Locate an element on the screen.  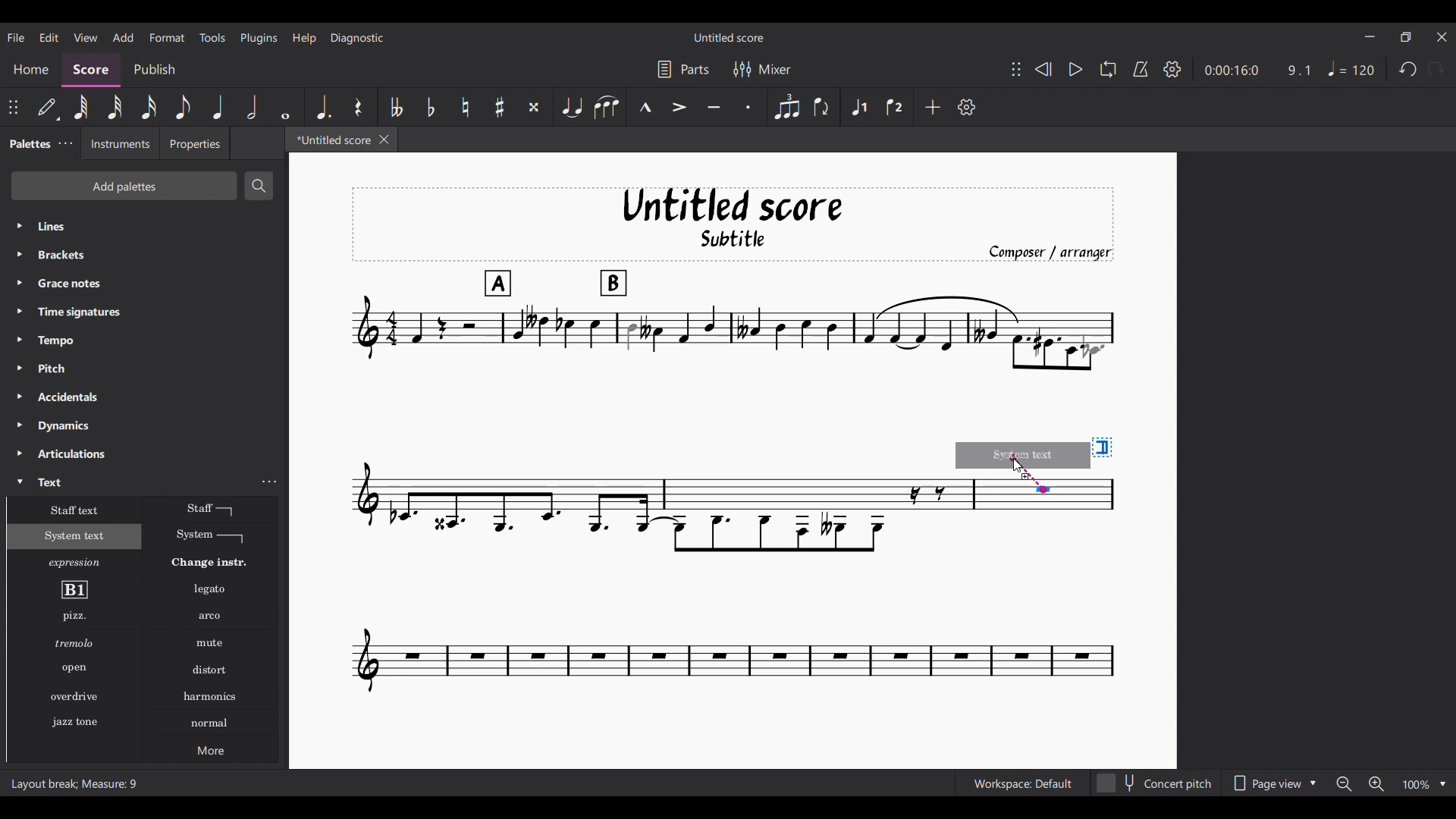
Rewind is located at coordinates (1043, 69).